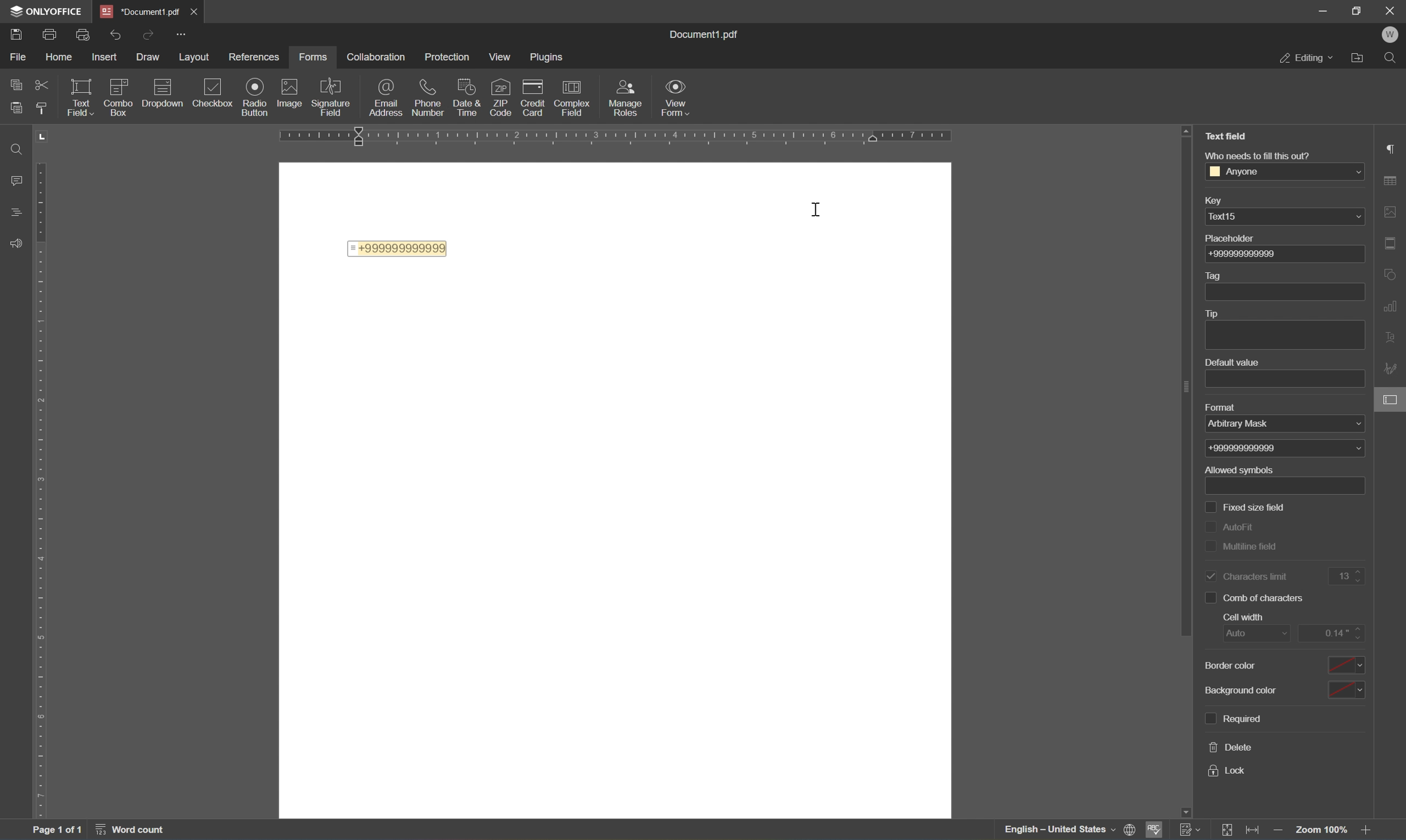  Describe the element at coordinates (1393, 271) in the screenshot. I see `shape settings` at that location.